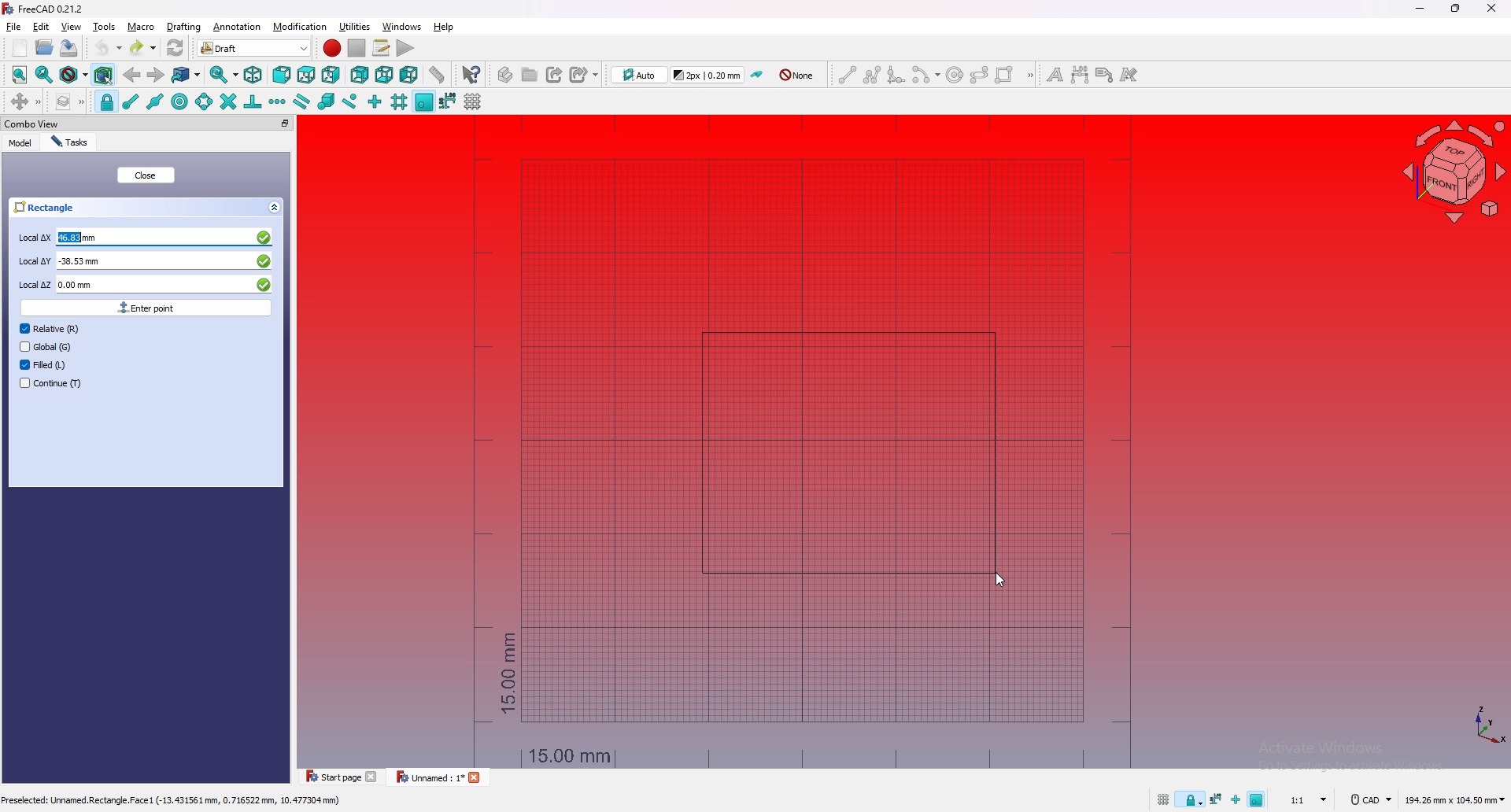 The image size is (1511, 812). Describe the element at coordinates (20, 75) in the screenshot. I see `fit all` at that location.